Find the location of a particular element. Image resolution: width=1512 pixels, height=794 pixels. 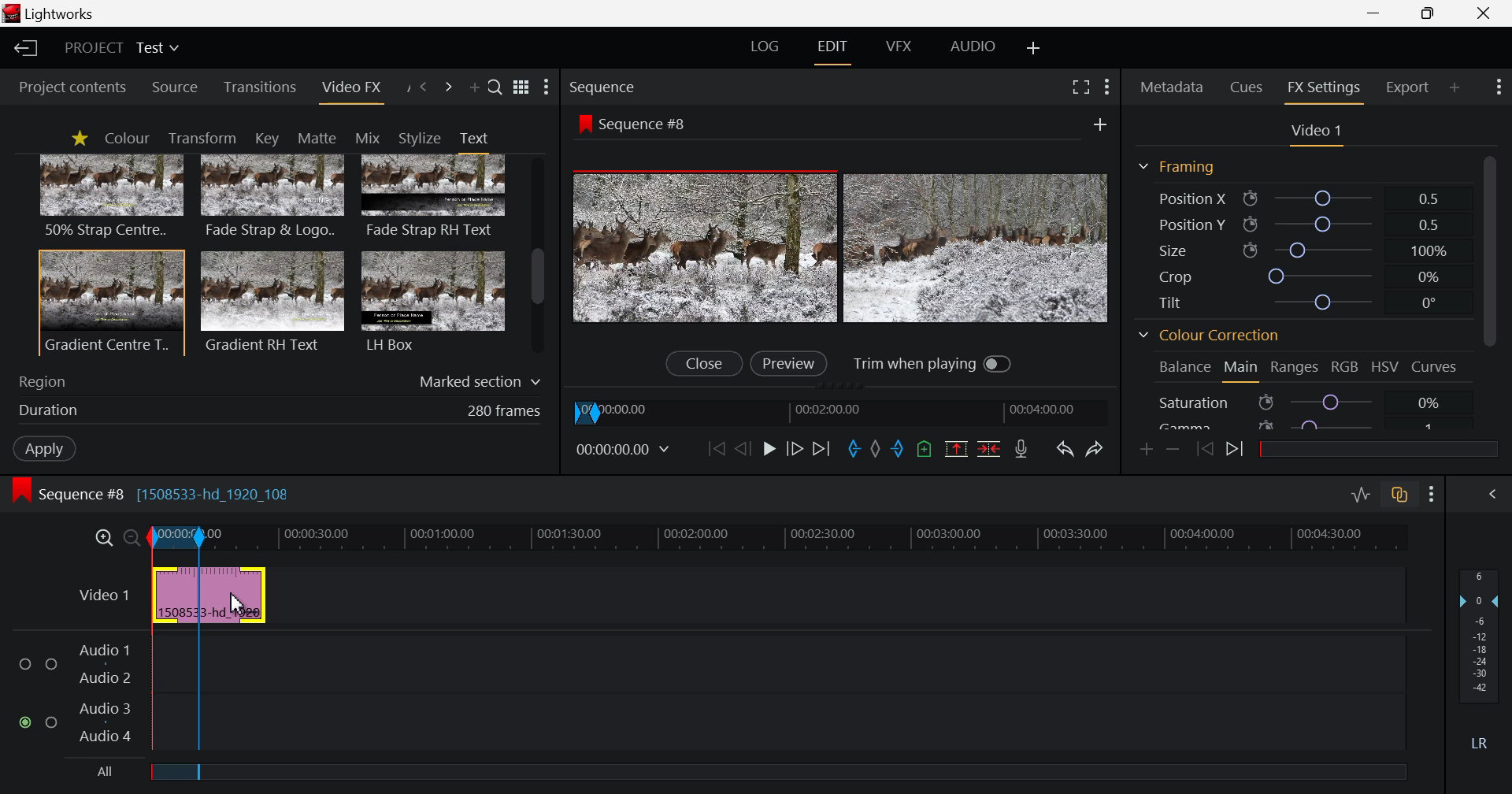

Mark Out is located at coordinates (898, 451).